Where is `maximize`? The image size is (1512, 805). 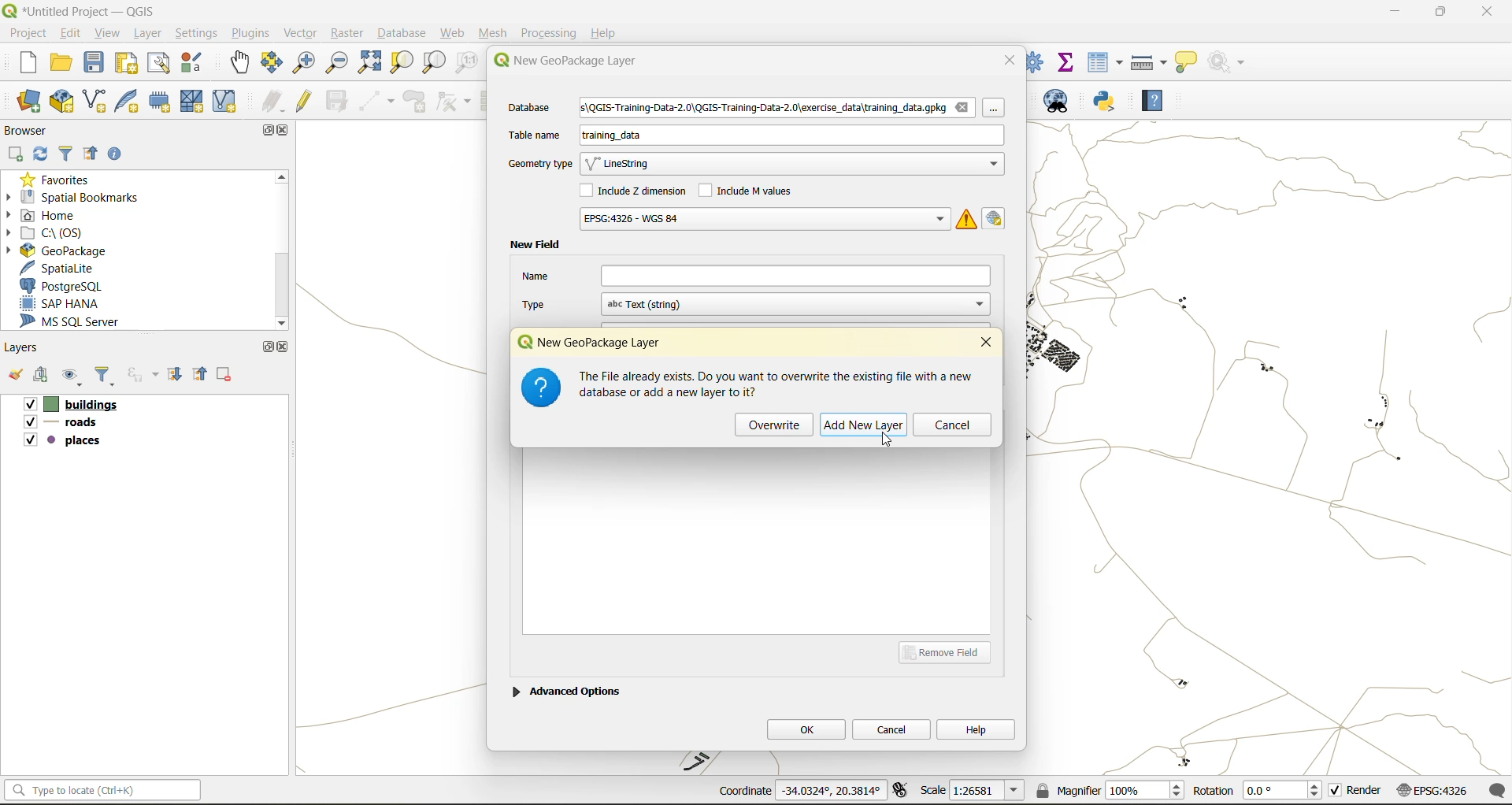 maximize is located at coordinates (265, 130).